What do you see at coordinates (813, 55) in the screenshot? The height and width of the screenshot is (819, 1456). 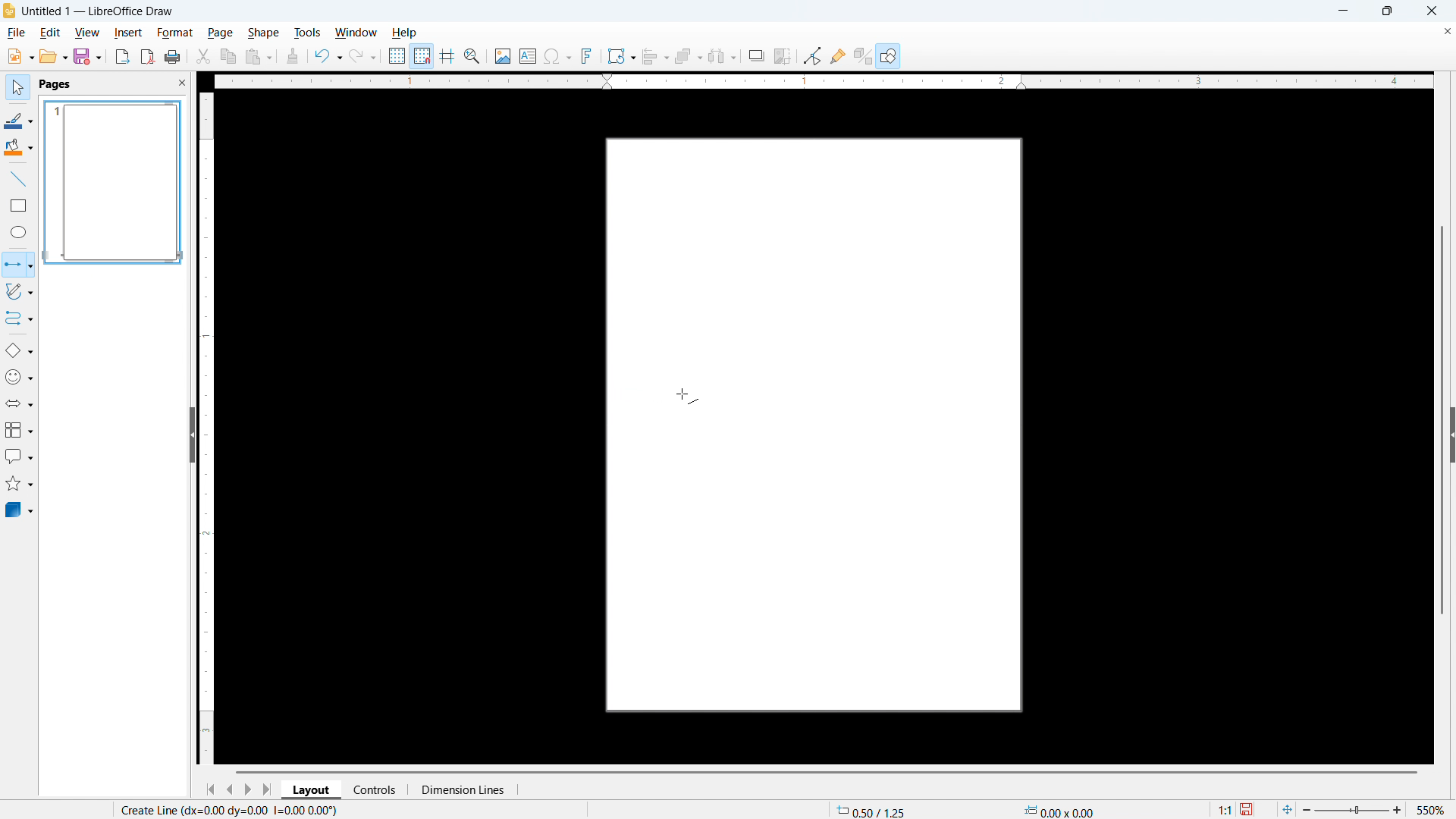 I see `Toggle point edit mode ` at bounding box center [813, 55].